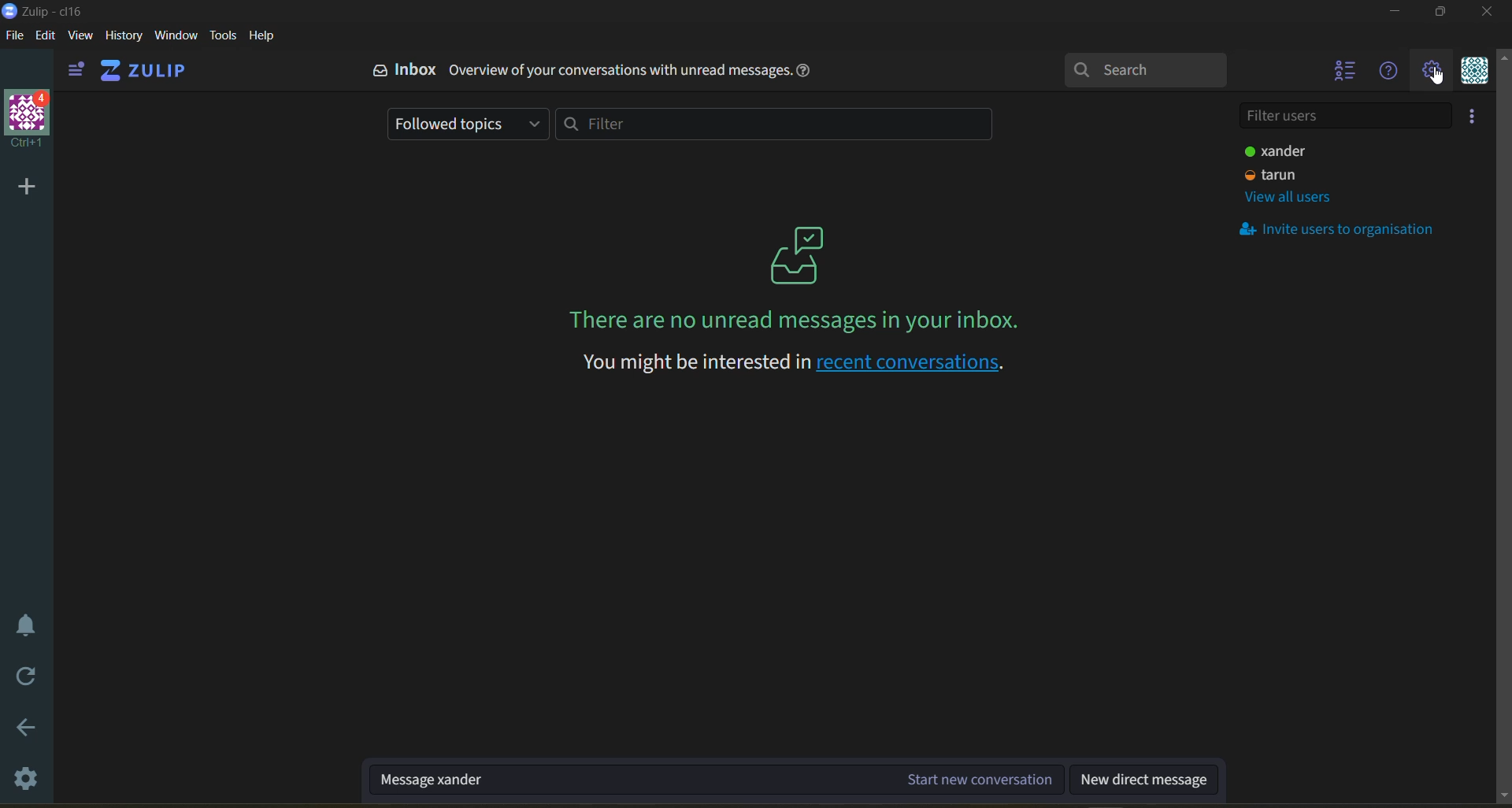 This screenshot has height=808, width=1512. Describe the element at coordinates (1280, 175) in the screenshot. I see `user status` at that location.